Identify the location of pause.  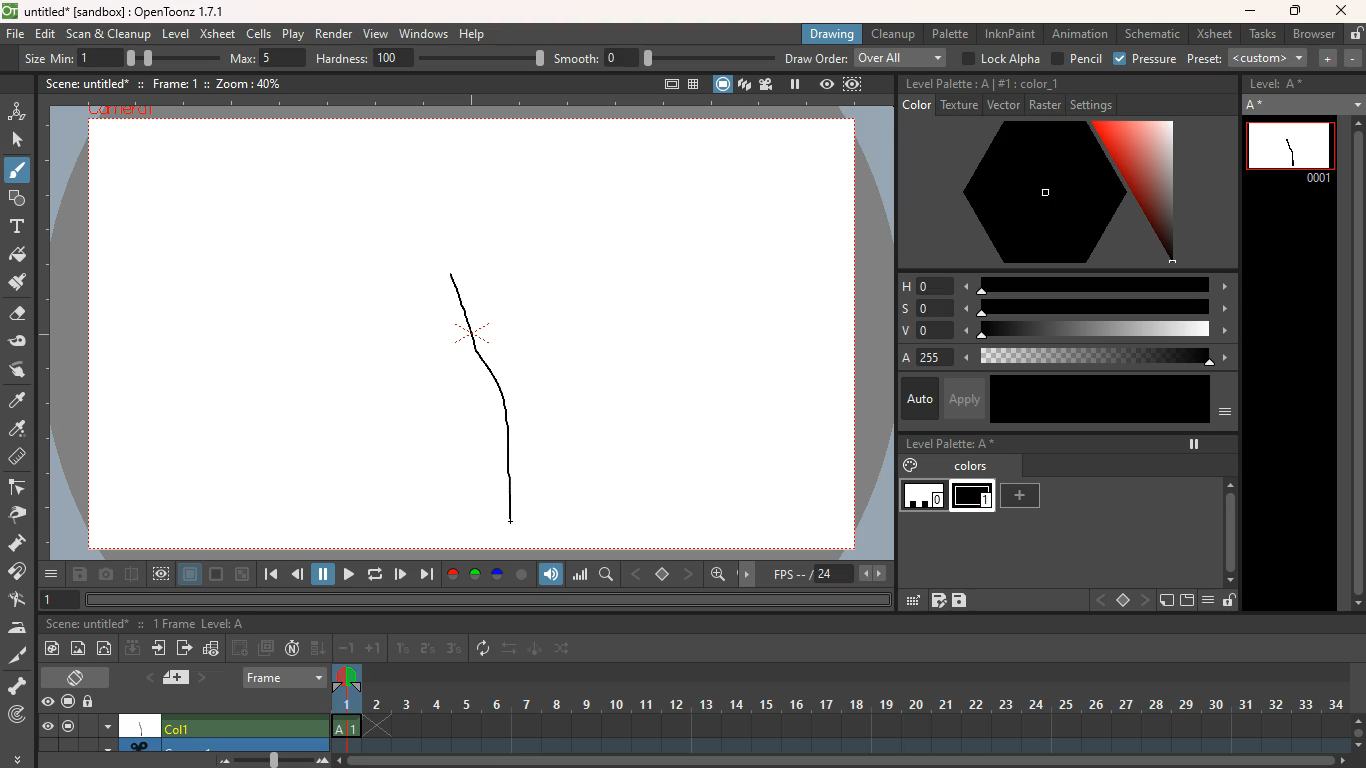
(324, 573).